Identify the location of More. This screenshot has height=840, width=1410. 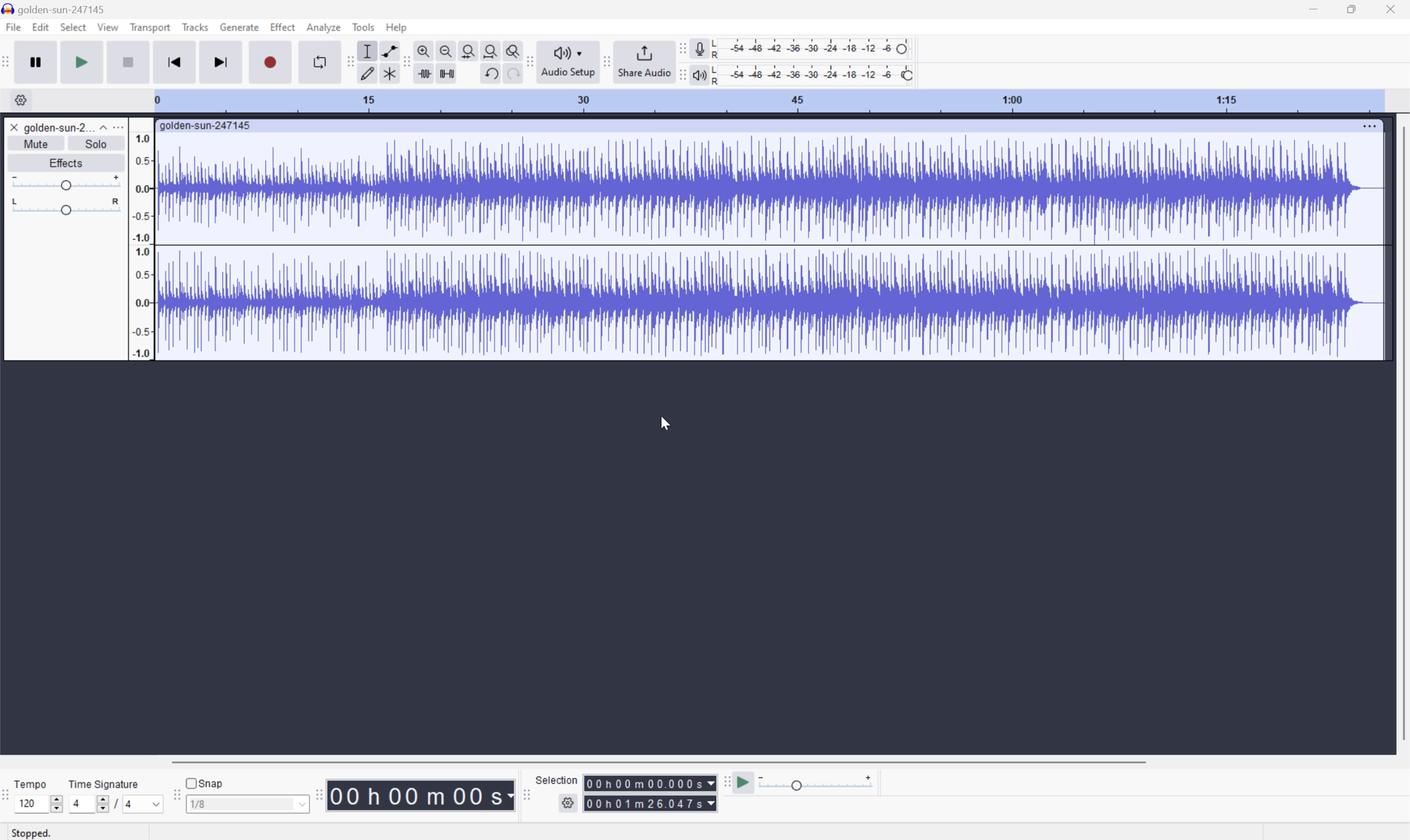
(1368, 125).